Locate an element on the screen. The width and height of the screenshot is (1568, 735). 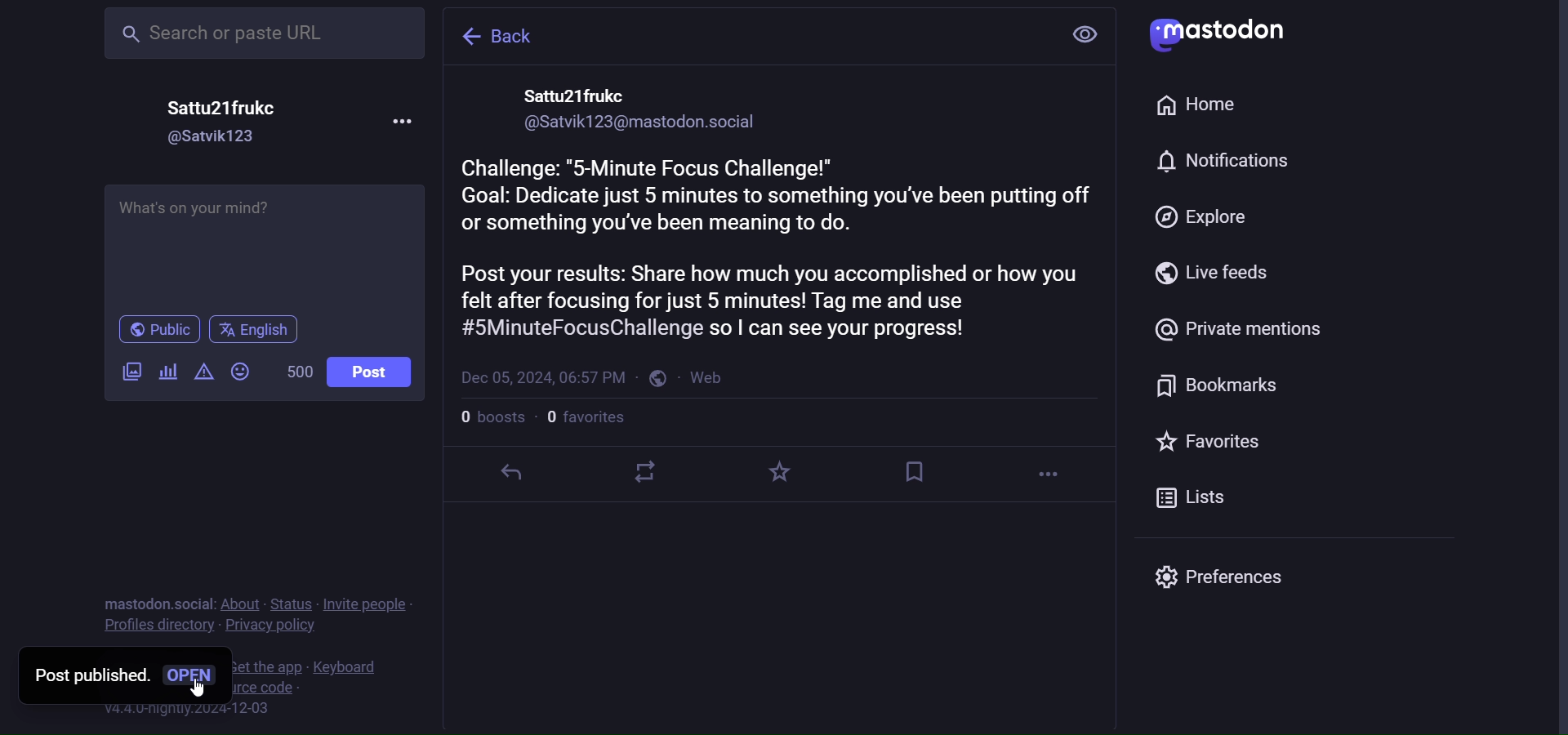
write here is located at coordinates (267, 245).